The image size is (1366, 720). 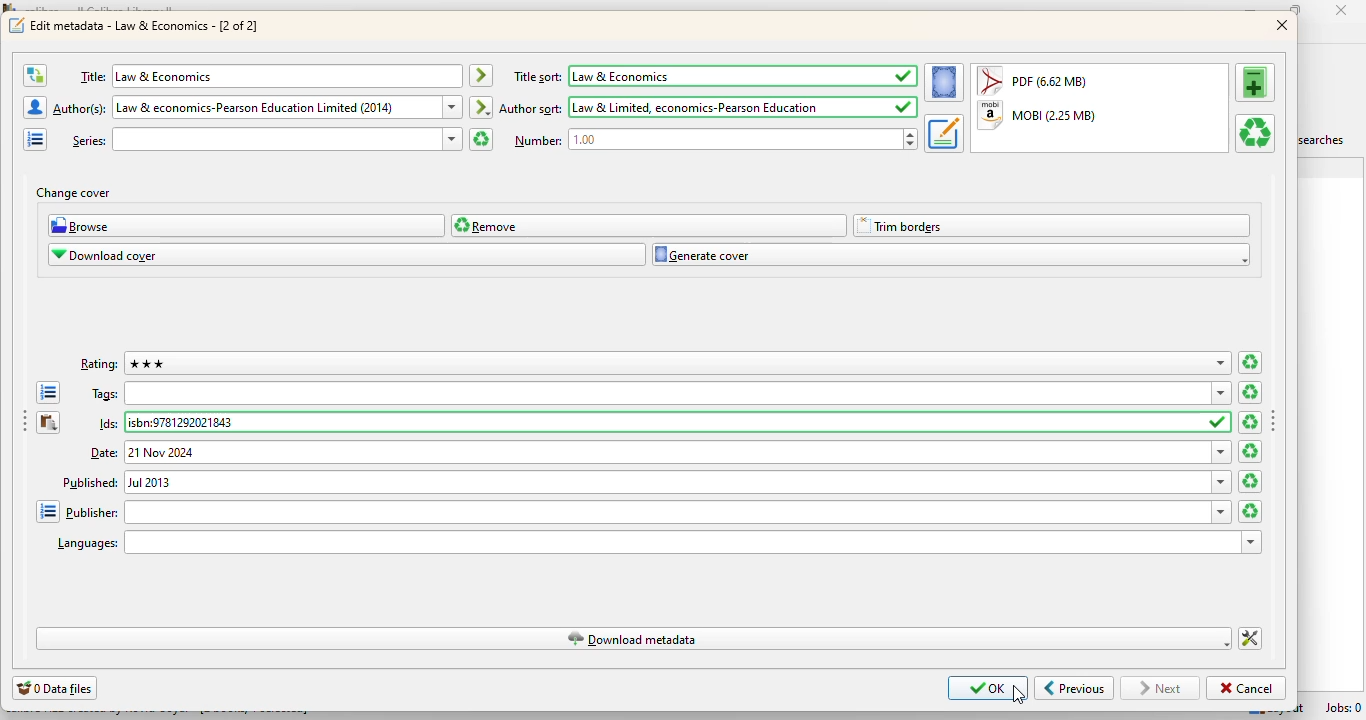 I want to click on open the manage authors editor, so click(x=35, y=107).